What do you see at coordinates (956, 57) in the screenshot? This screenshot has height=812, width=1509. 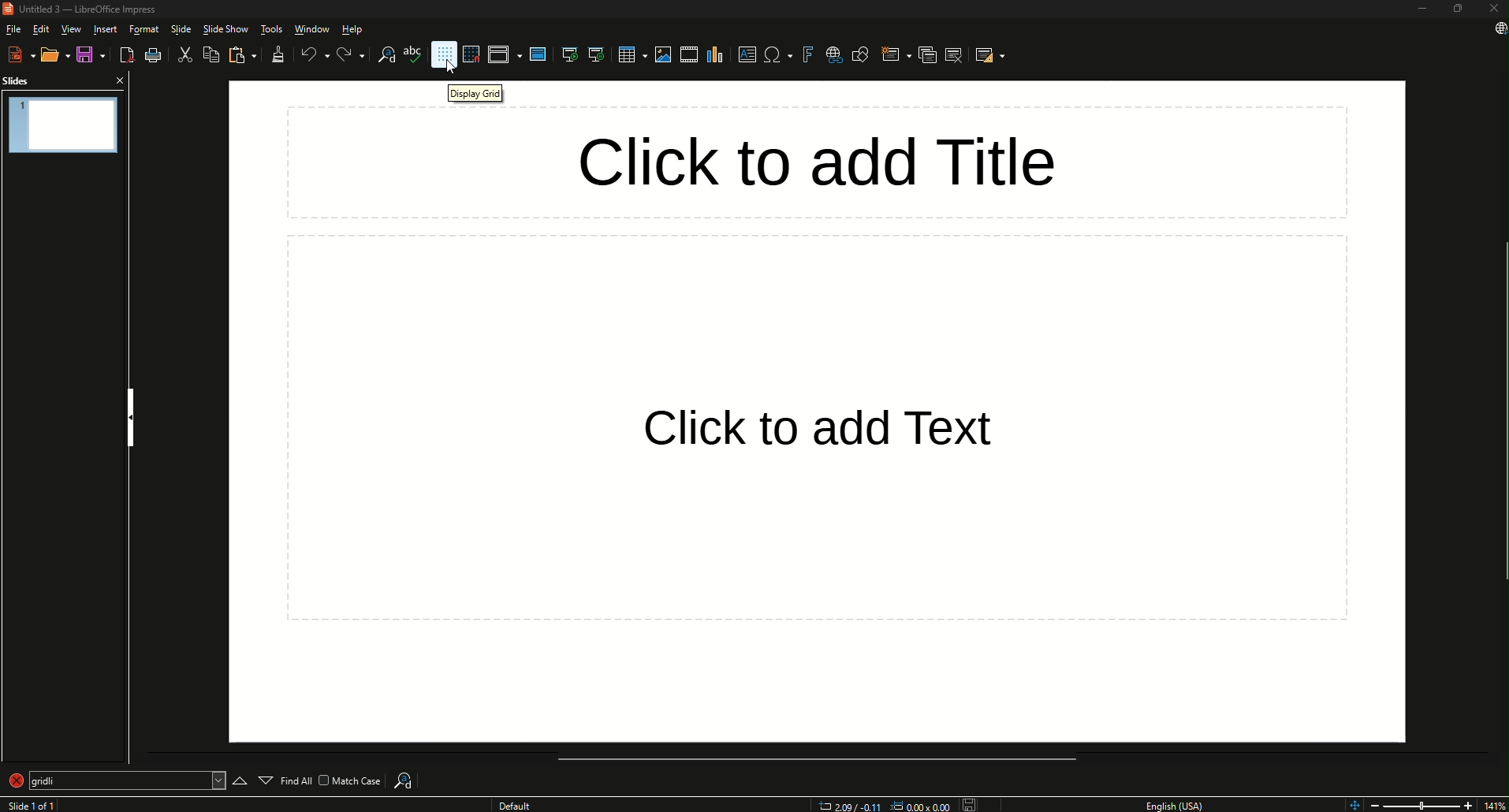 I see `Delete Slide` at bounding box center [956, 57].